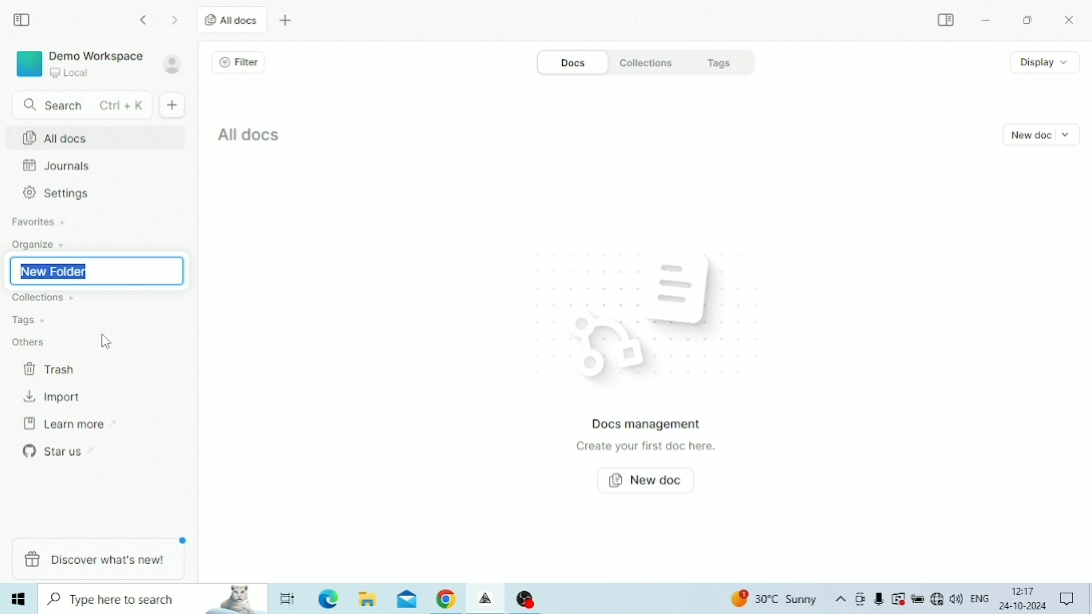 This screenshot has width=1092, height=614. Describe the element at coordinates (1072, 21) in the screenshot. I see `Close` at that location.